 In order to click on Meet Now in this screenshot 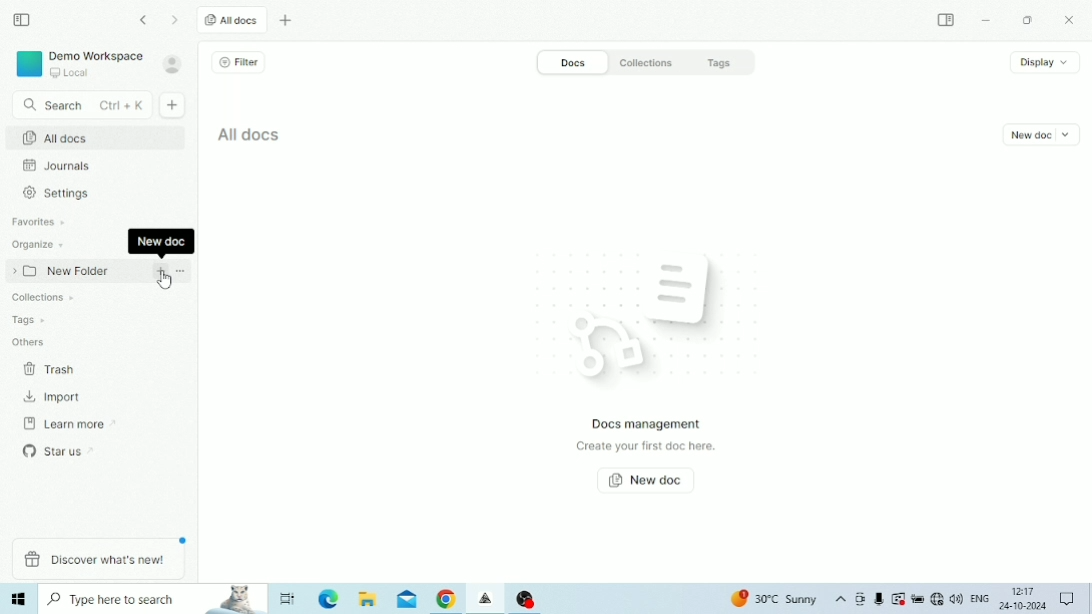, I will do `click(860, 599)`.